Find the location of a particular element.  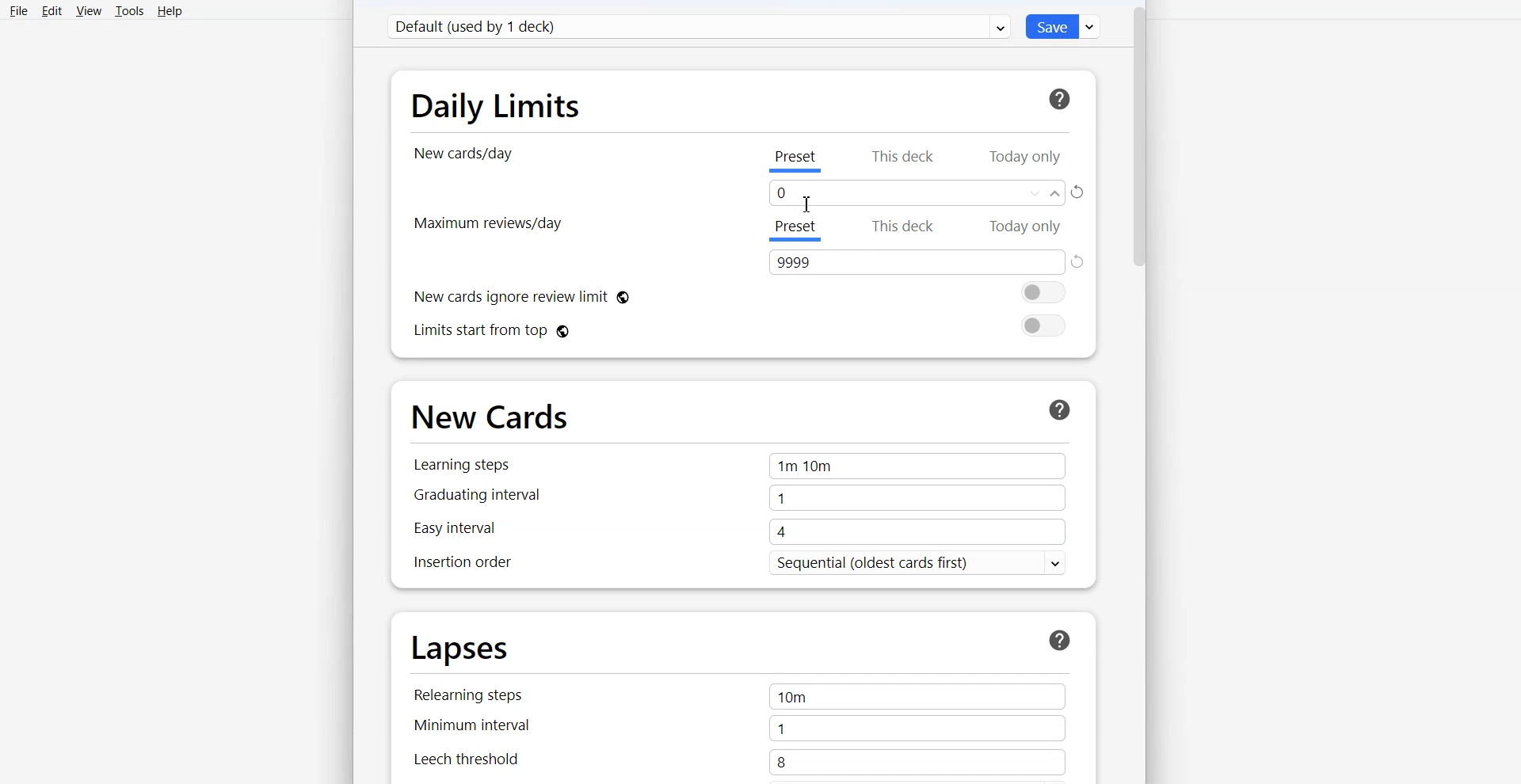

New cards ignore review limit is located at coordinates (745, 292).